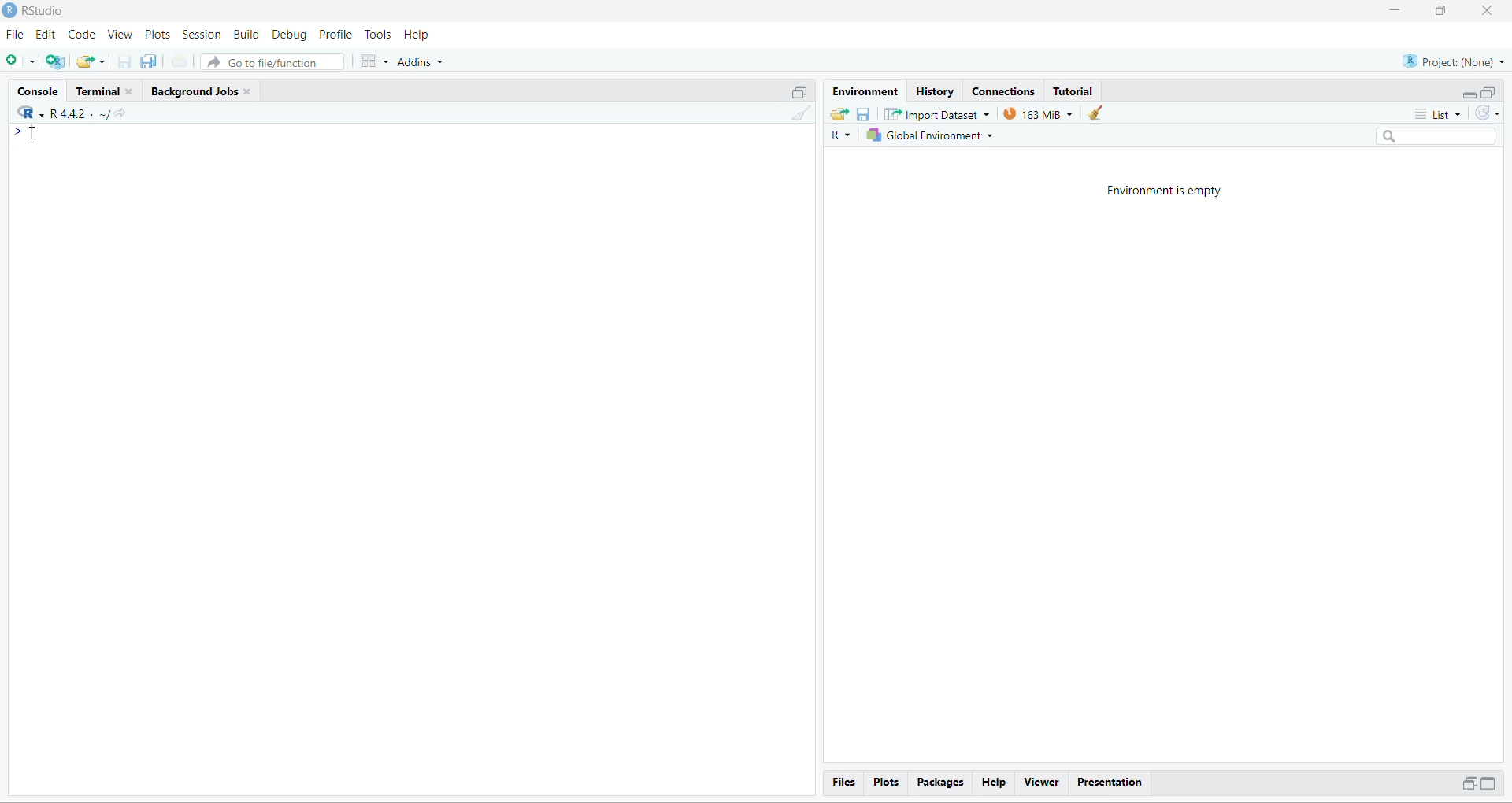 The height and width of the screenshot is (803, 1512). What do you see at coordinates (107, 88) in the screenshot?
I see `Terminal` at bounding box center [107, 88].